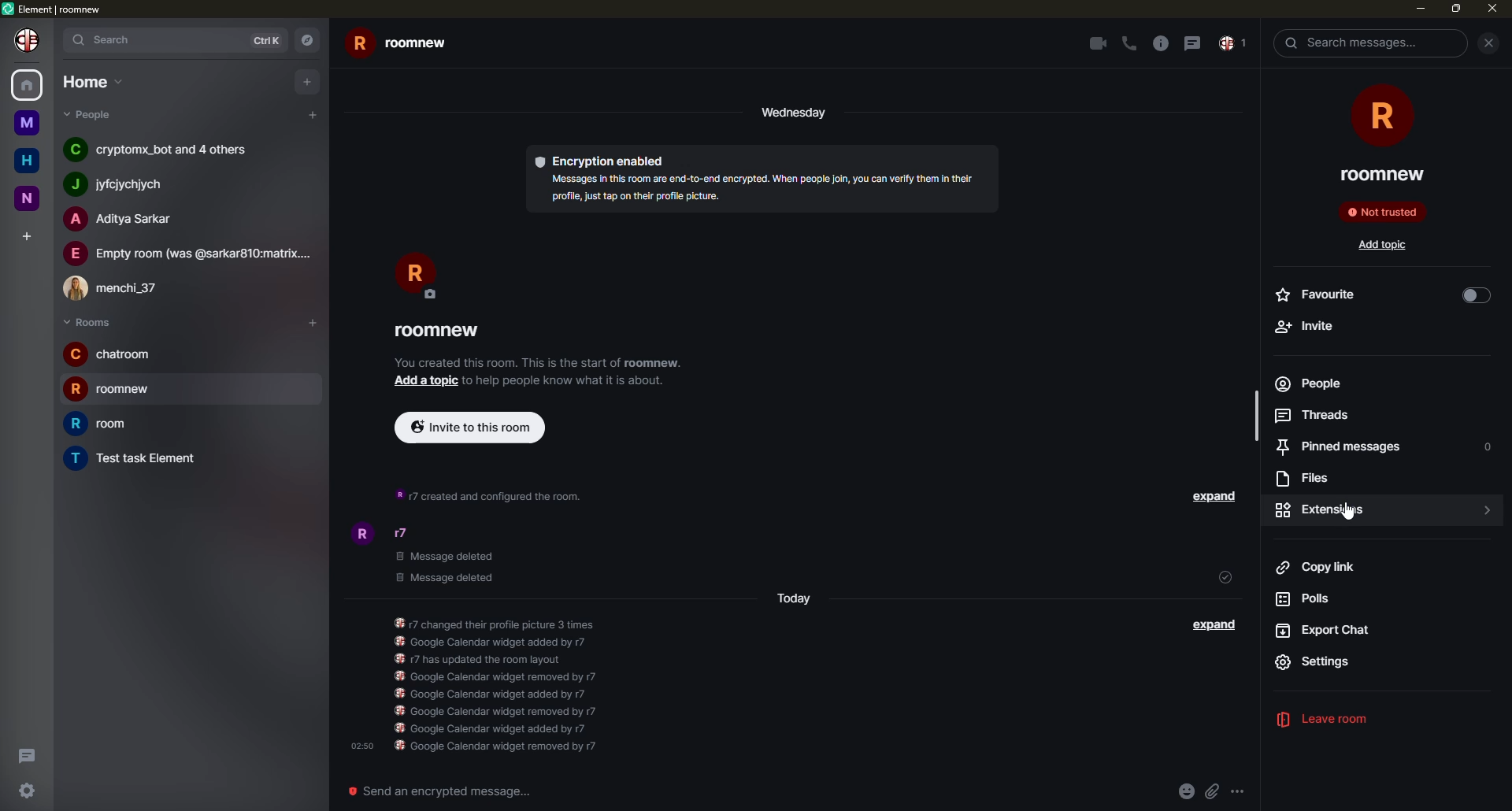 This screenshot has height=811, width=1512. I want to click on emoji, so click(1185, 791).